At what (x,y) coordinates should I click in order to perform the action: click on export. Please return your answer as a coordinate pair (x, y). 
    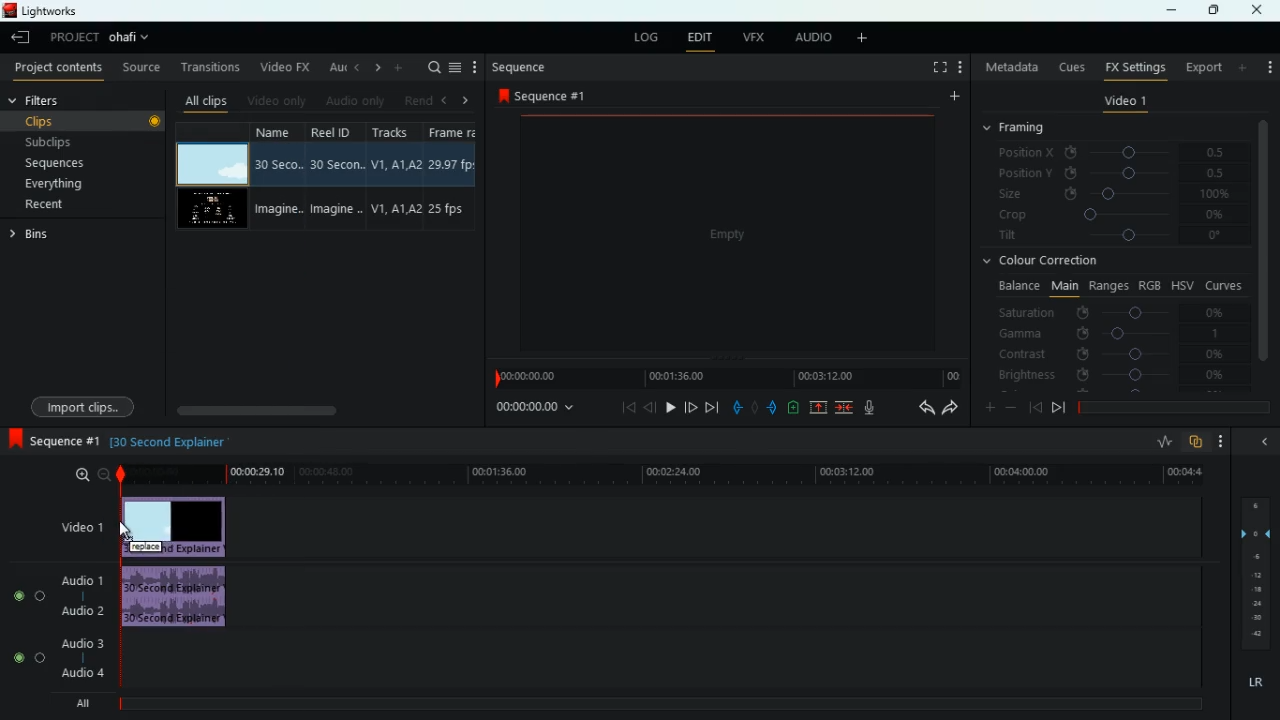
    Looking at the image, I should click on (1199, 67).